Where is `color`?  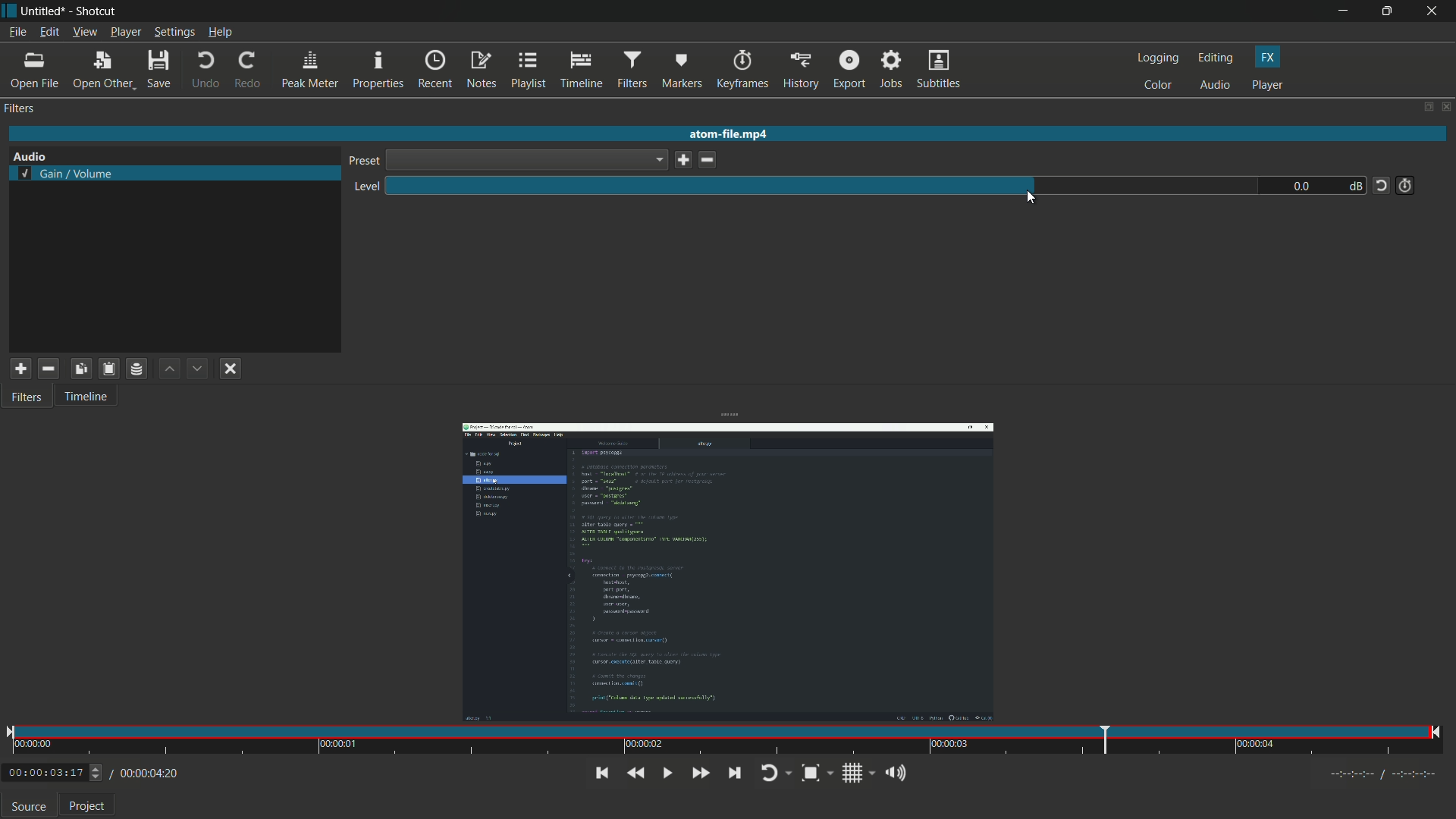 color is located at coordinates (1158, 86).